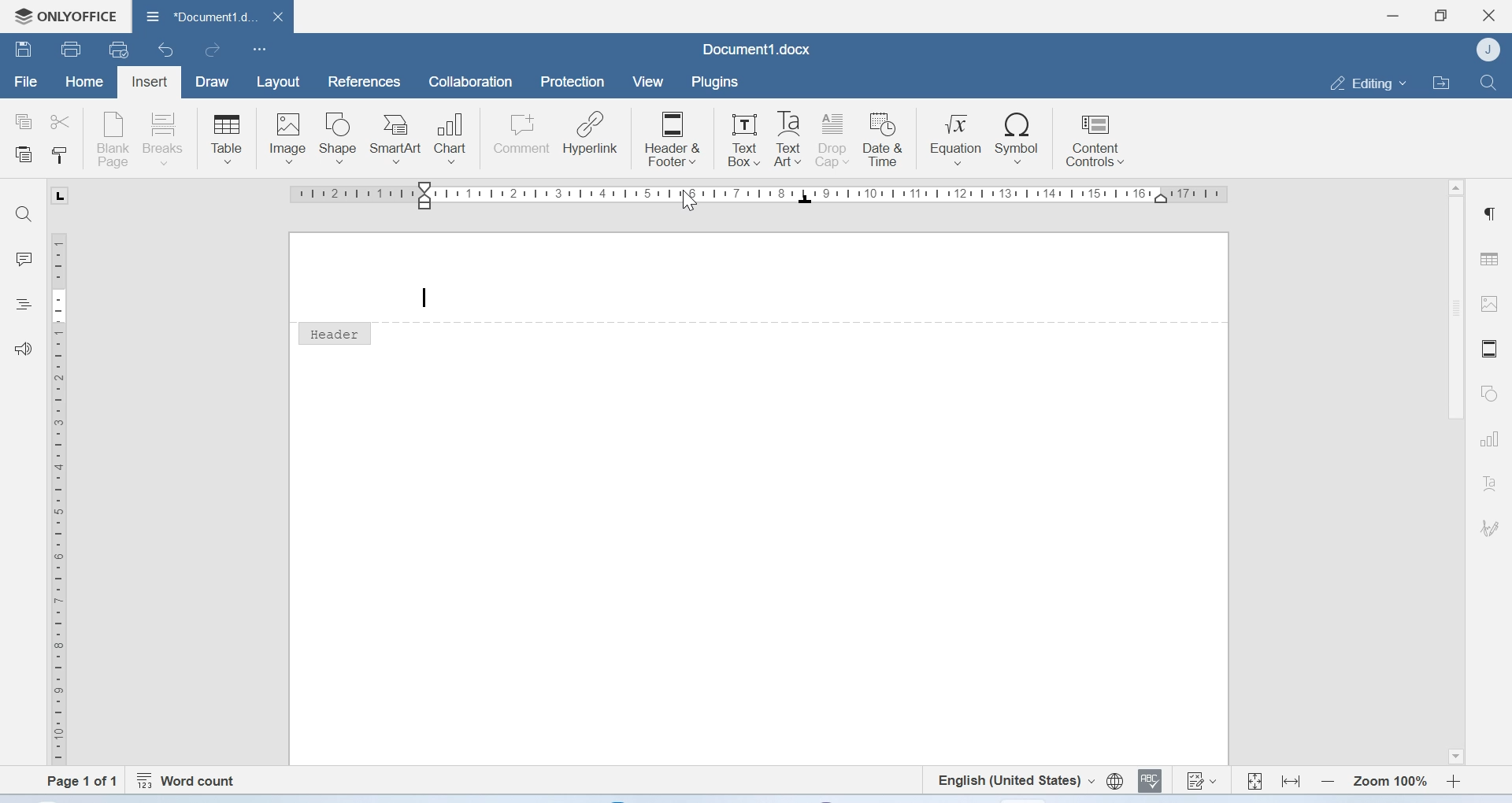  I want to click on Comments, so click(24, 259).